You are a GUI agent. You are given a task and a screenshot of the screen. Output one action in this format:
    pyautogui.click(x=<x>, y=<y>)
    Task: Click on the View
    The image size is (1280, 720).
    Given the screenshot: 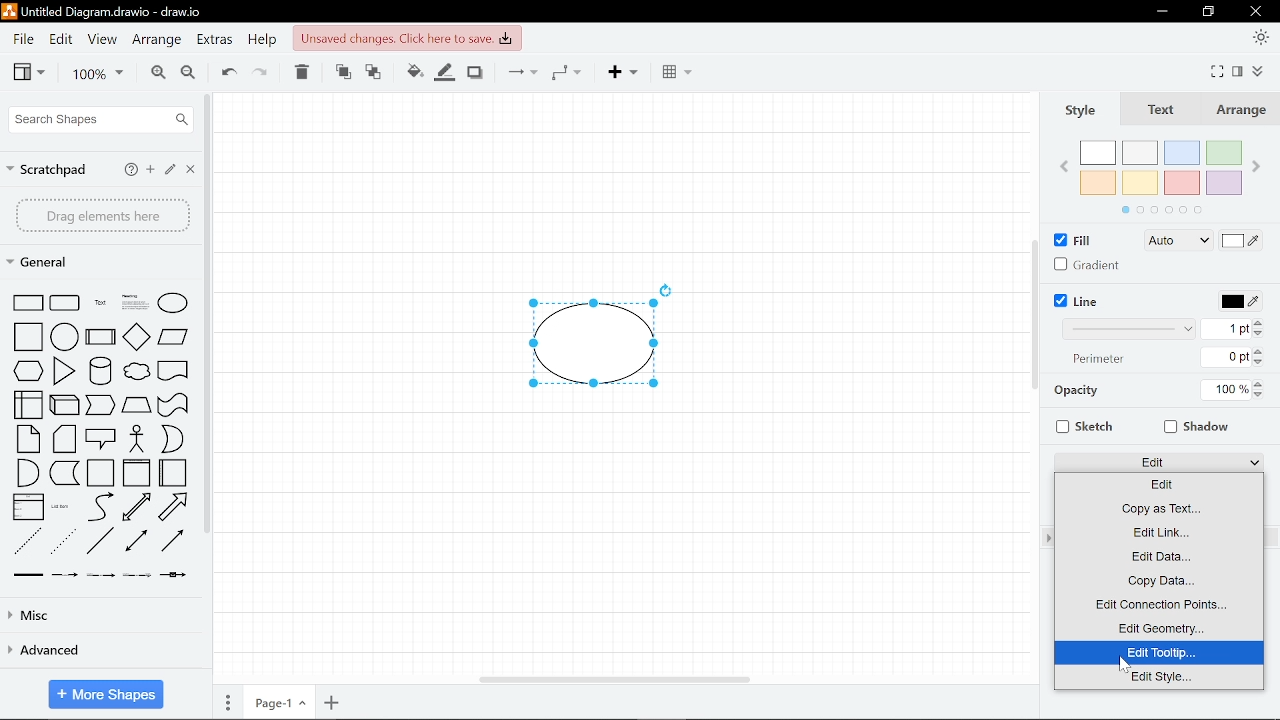 What is the action you would take?
    pyautogui.click(x=29, y=73)
    